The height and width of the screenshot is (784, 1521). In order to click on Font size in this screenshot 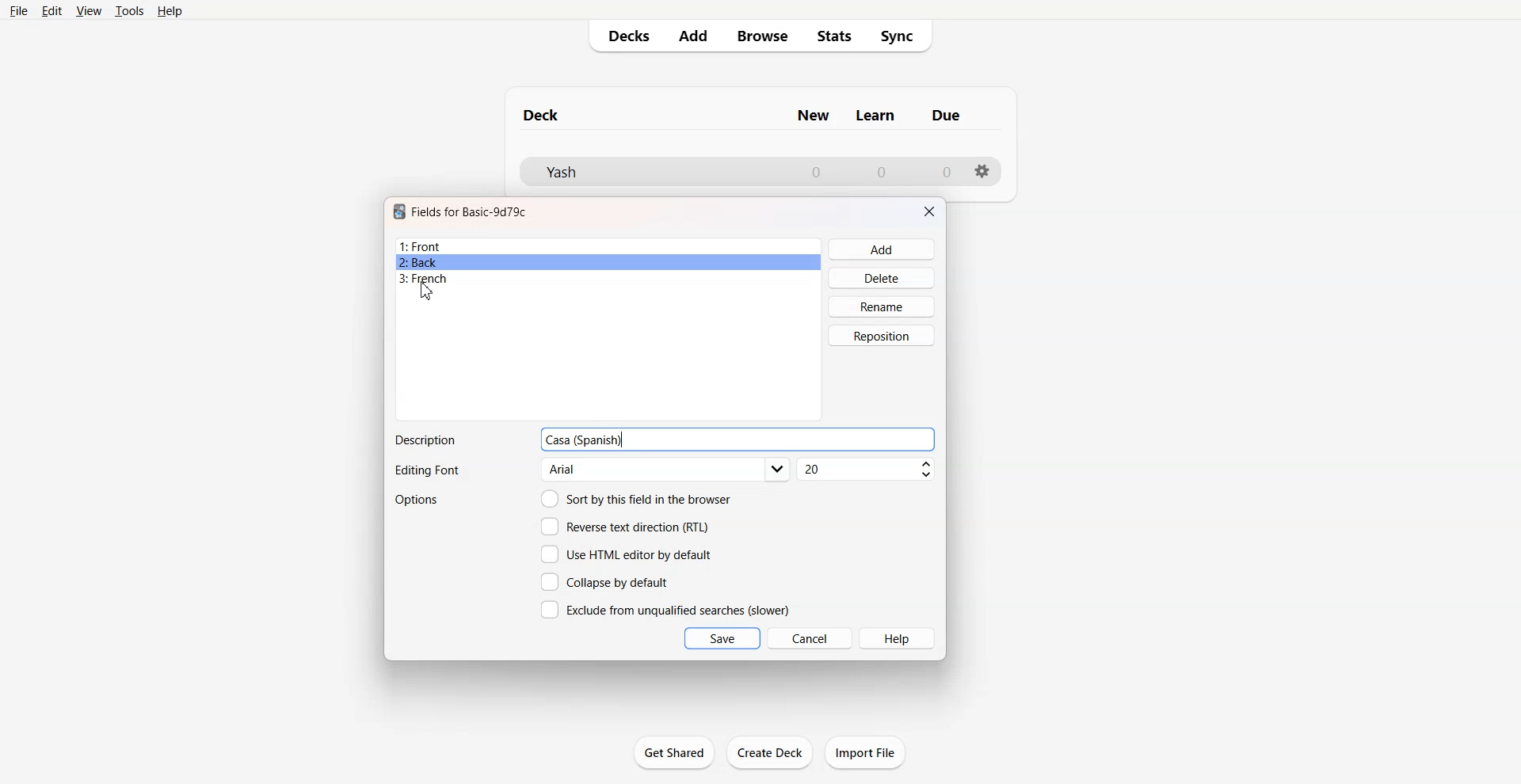, I will do `click(867, 470)`.